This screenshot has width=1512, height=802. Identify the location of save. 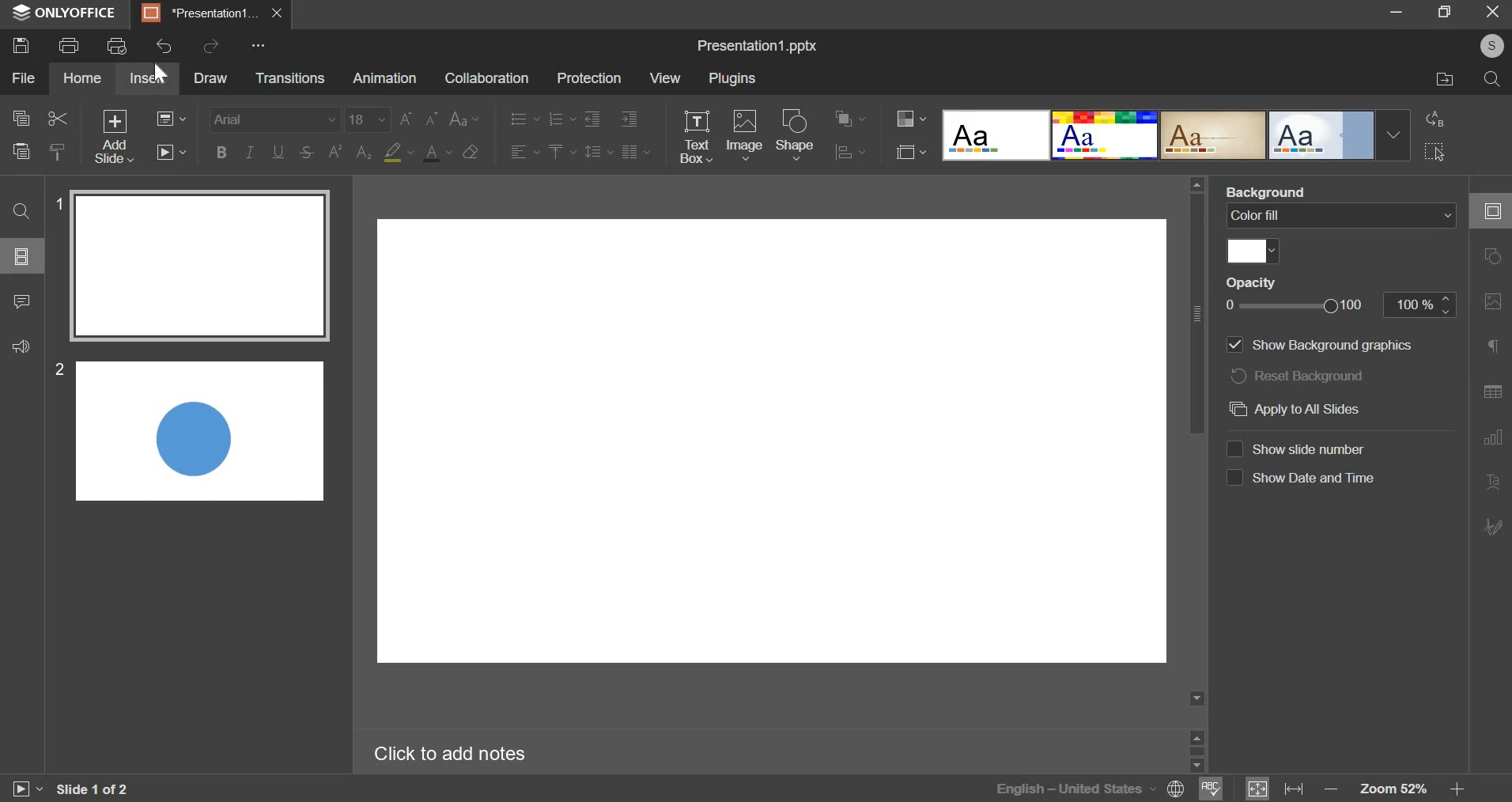
(22, 46).